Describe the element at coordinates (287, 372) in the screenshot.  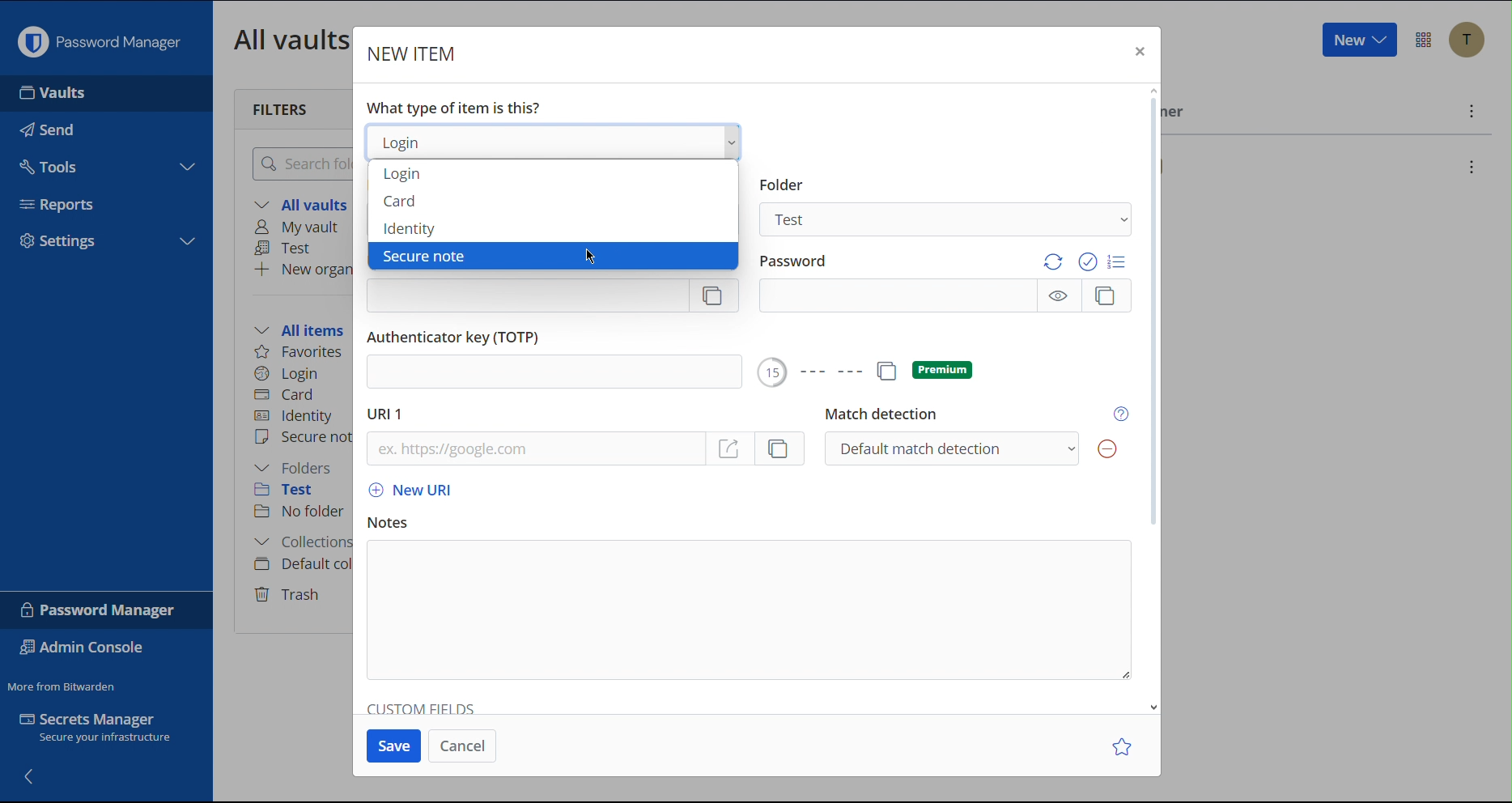
I see `Login` at that location.